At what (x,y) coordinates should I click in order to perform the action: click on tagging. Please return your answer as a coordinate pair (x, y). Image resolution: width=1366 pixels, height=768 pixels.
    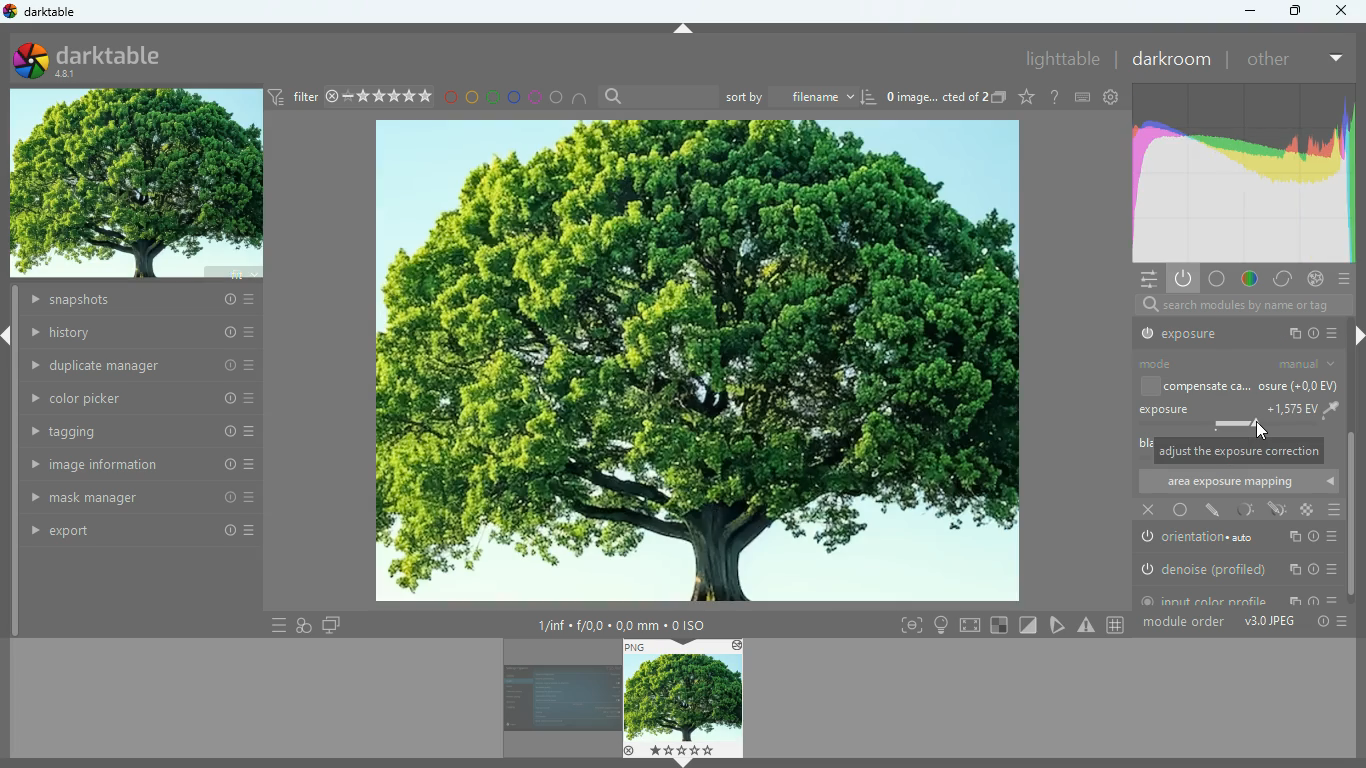
    Looking at the image, I should click on (131, 432).